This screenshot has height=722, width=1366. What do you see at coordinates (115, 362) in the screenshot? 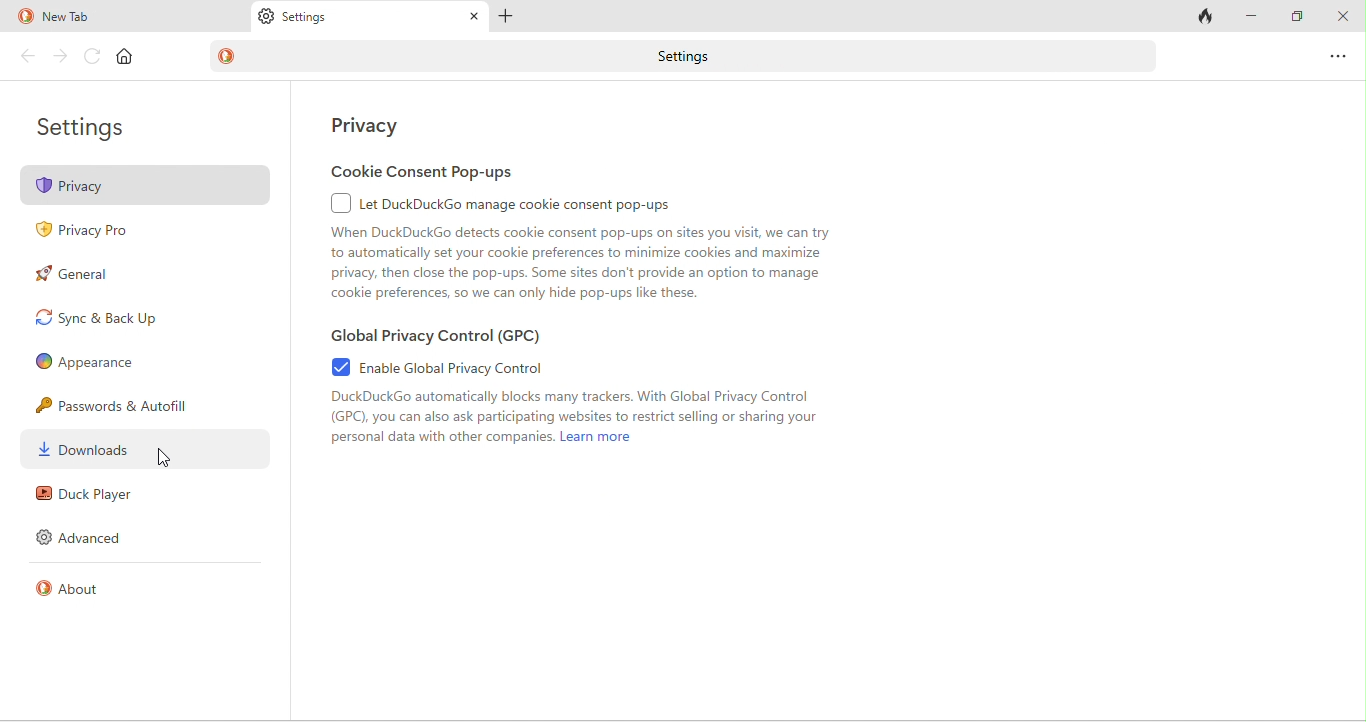
I see `appearence` at bounding box center [115, 362].